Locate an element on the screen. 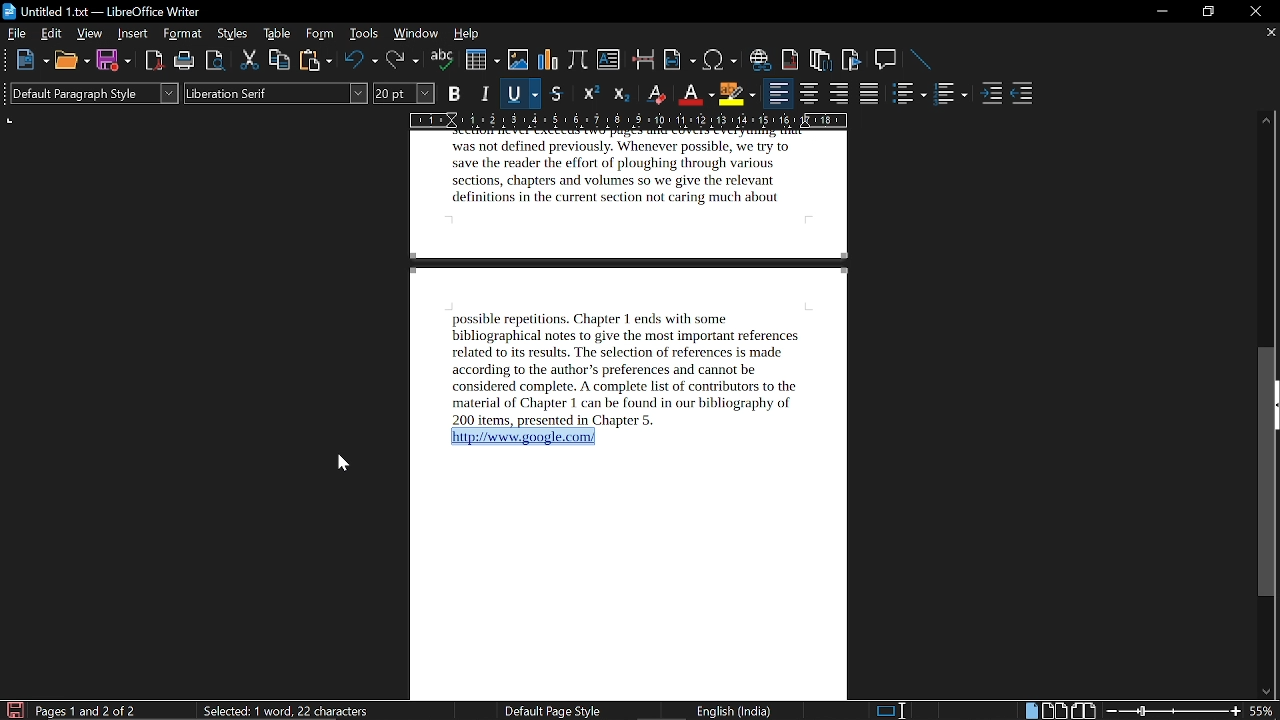  justified is located at coordinates (870, 95).